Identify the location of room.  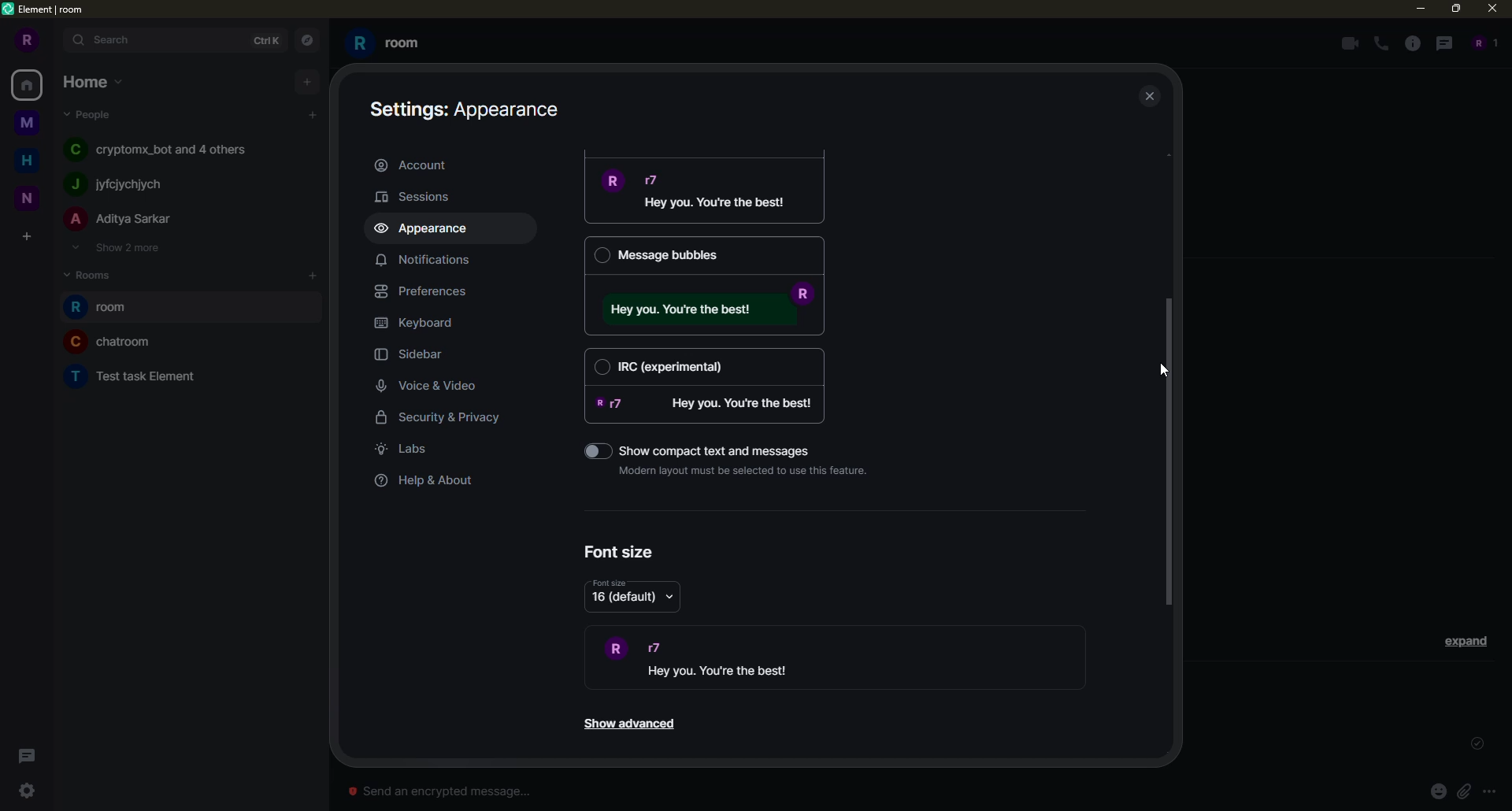
(112, 341).